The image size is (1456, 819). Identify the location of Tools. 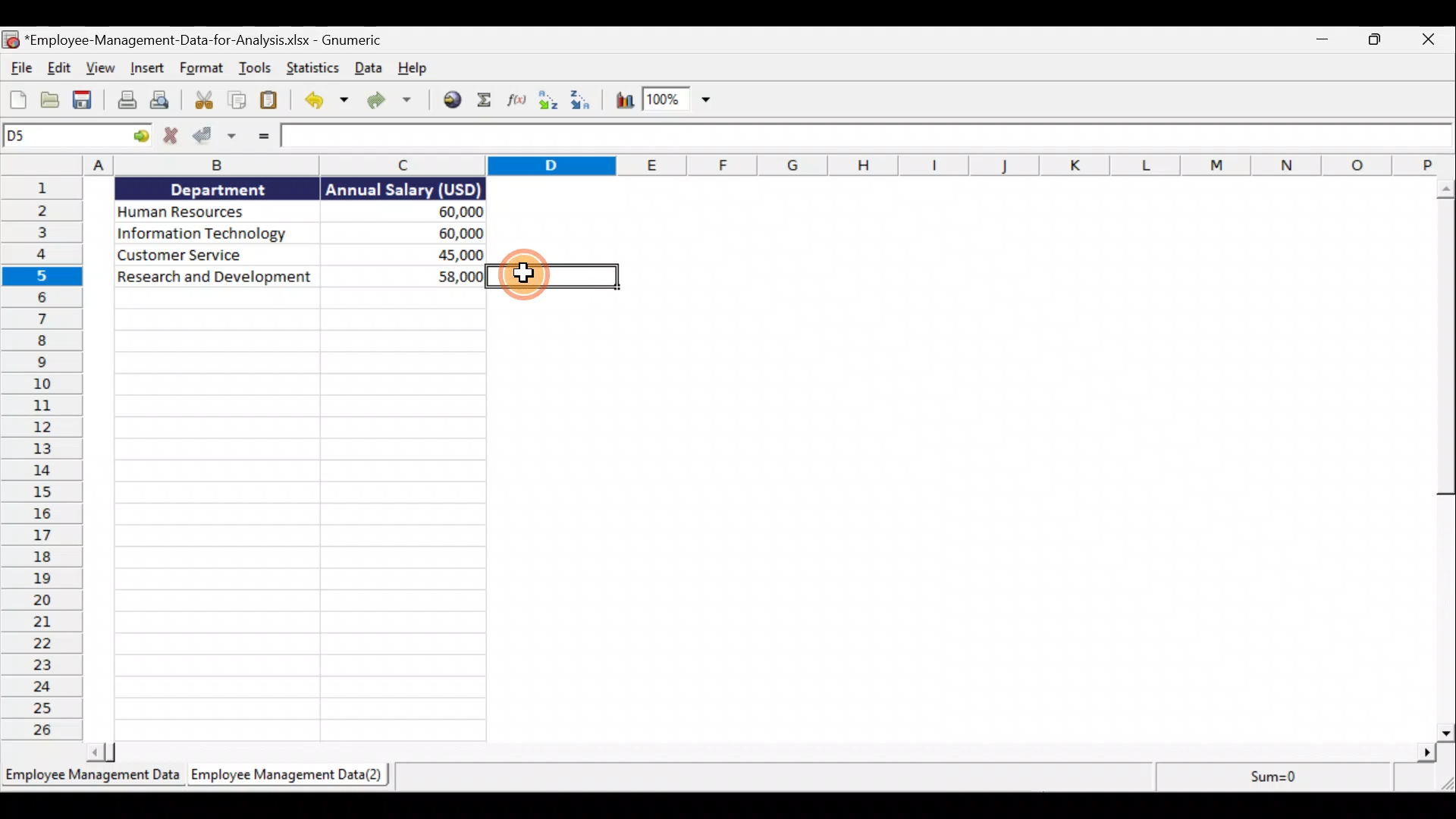
(257, 69).